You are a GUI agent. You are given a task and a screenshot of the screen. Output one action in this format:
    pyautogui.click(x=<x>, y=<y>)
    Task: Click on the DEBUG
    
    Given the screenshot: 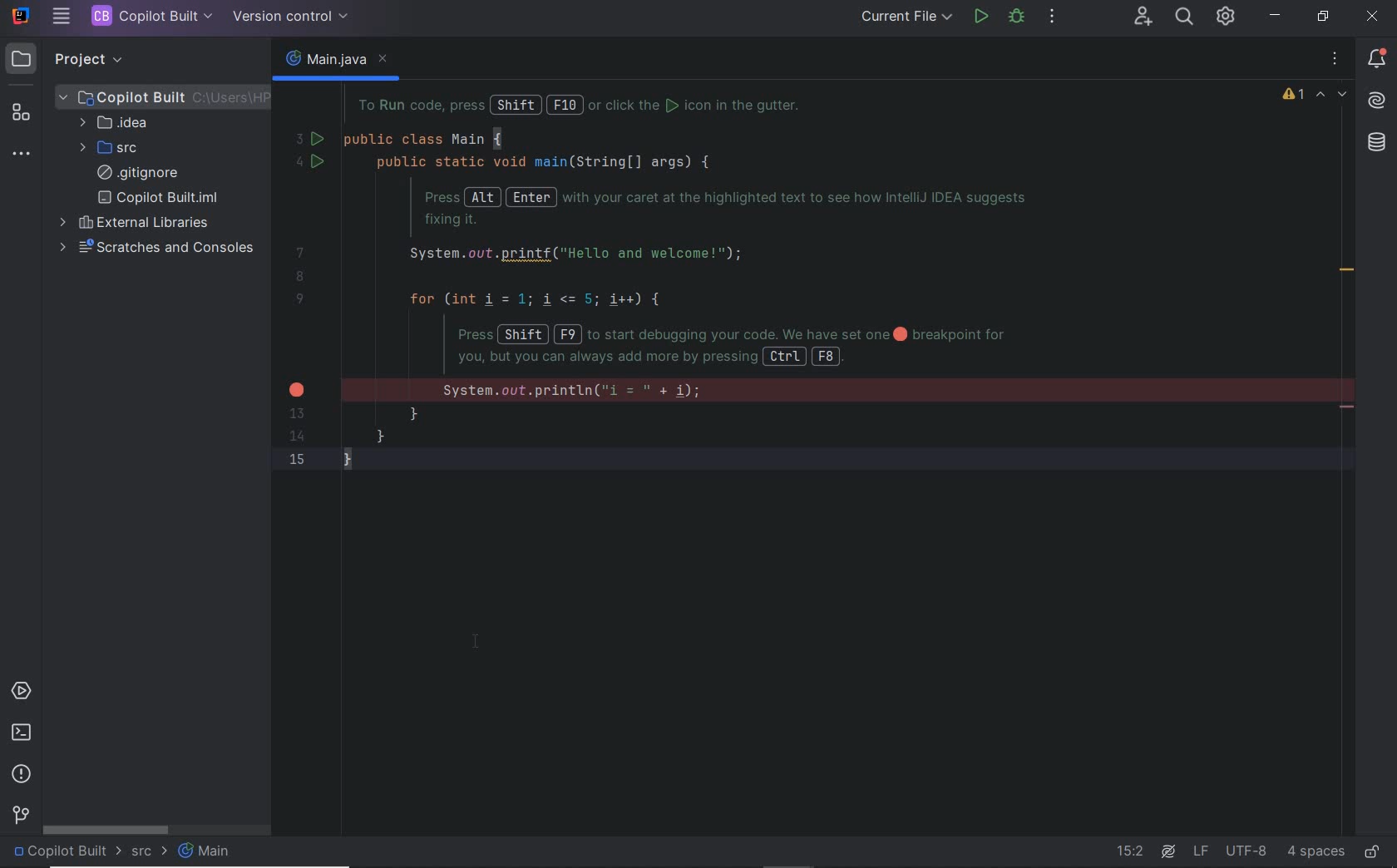 What is the action you would take?
    pyautogui.click(x=1017, y=17)
    